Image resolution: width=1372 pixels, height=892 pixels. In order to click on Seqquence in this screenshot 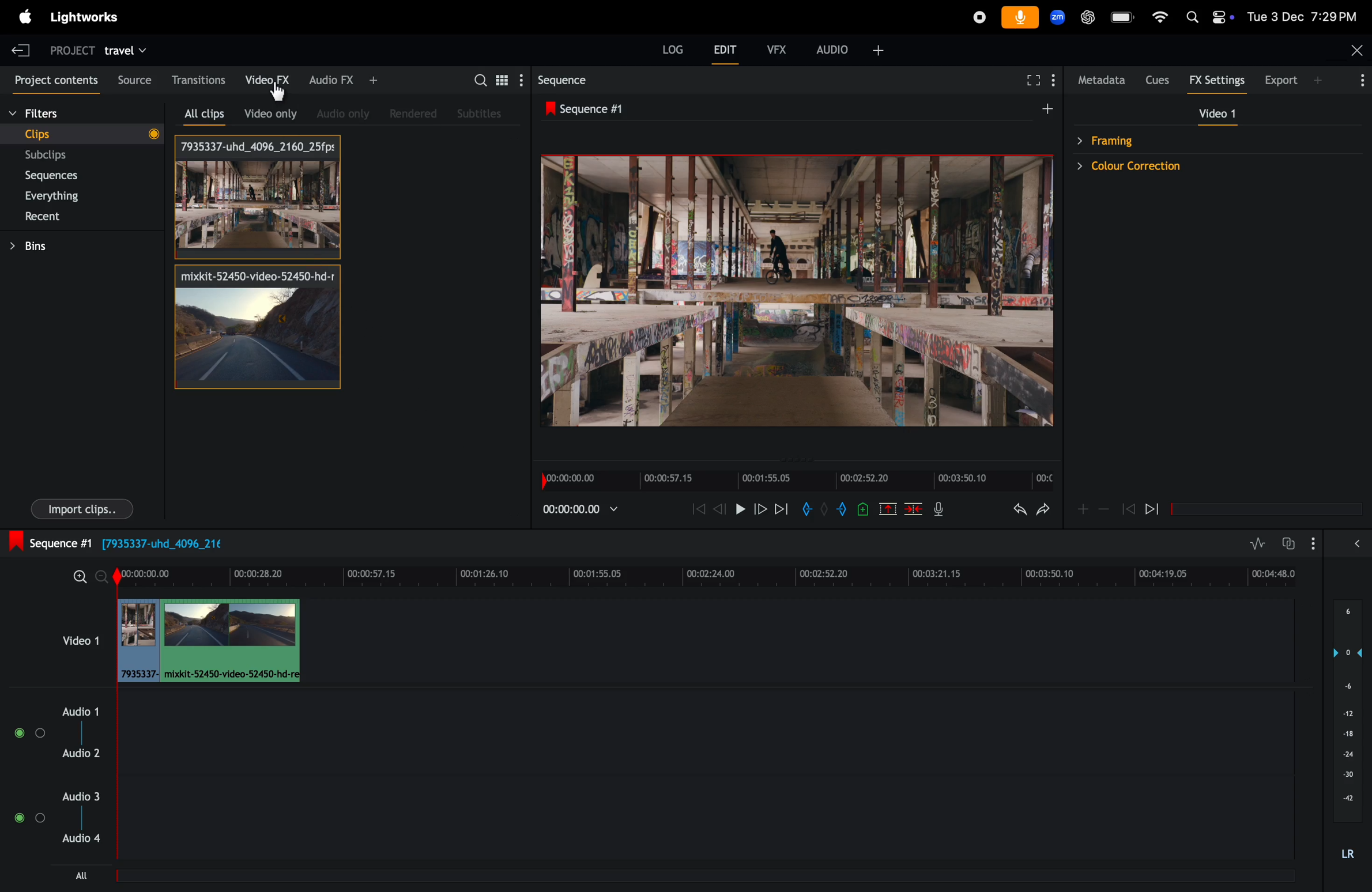, I will do `click(576, 81)`.